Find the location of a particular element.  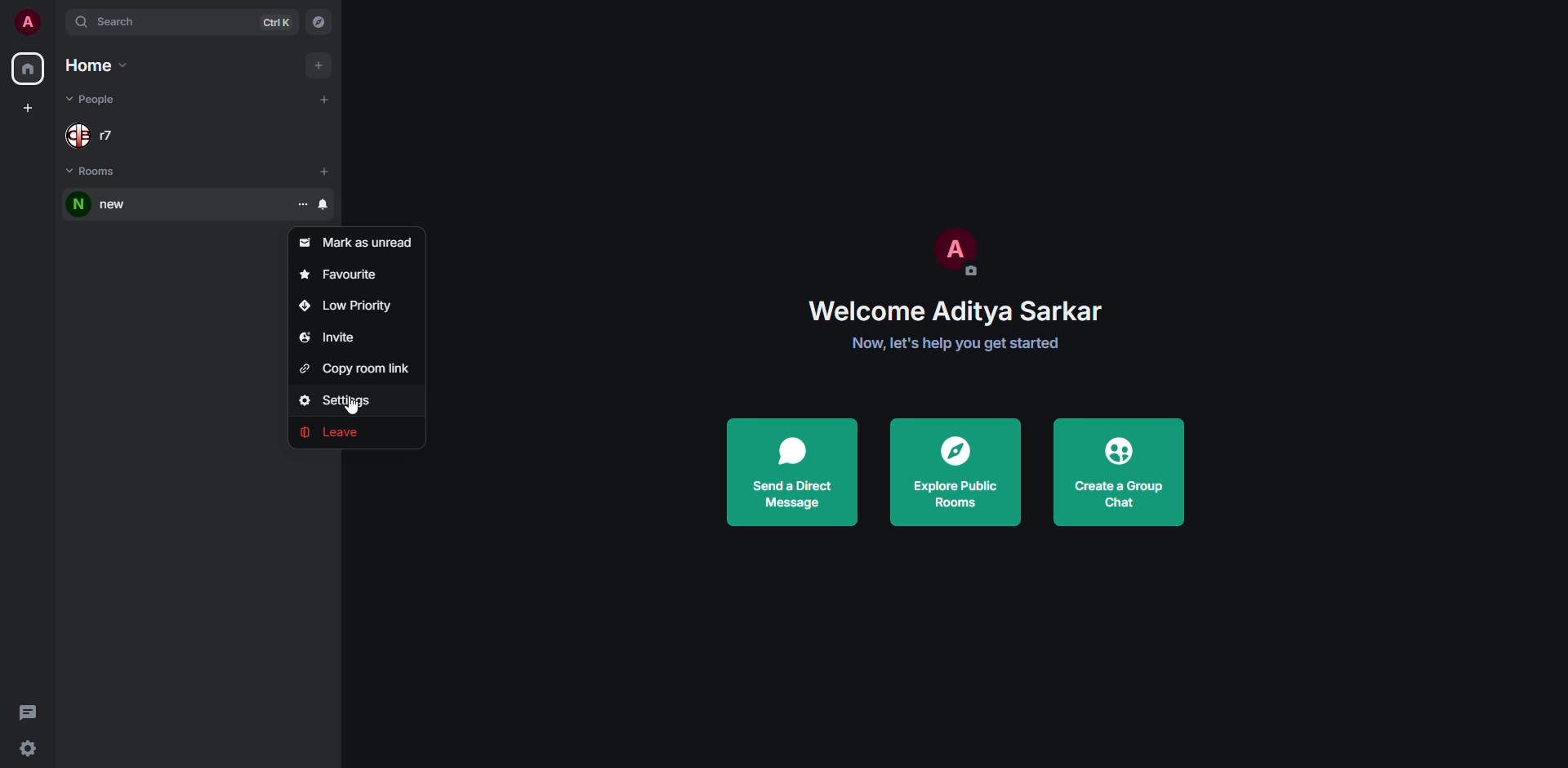

add is located at coordinates (325, 171).